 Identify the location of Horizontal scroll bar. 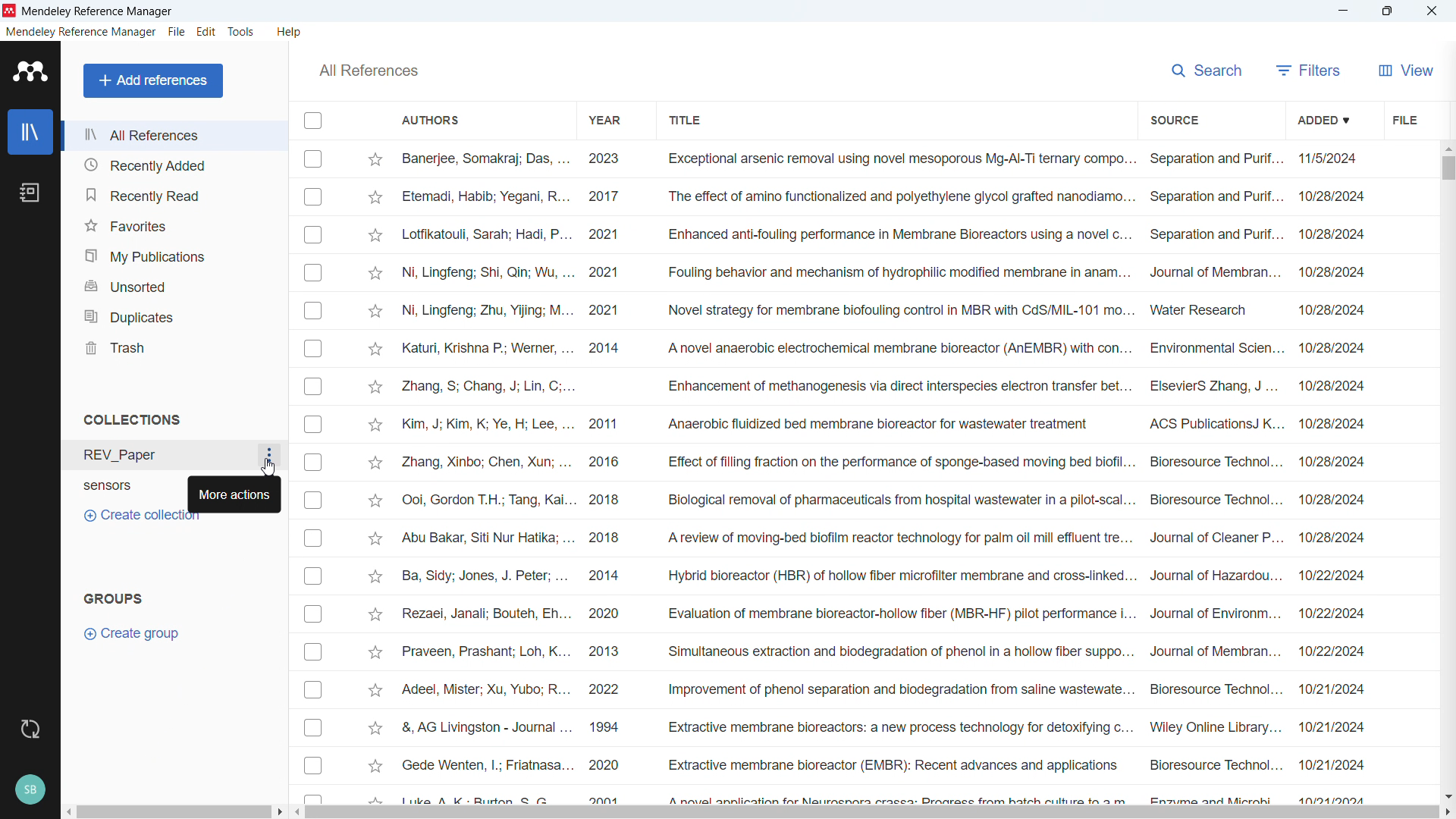
(174, 813).